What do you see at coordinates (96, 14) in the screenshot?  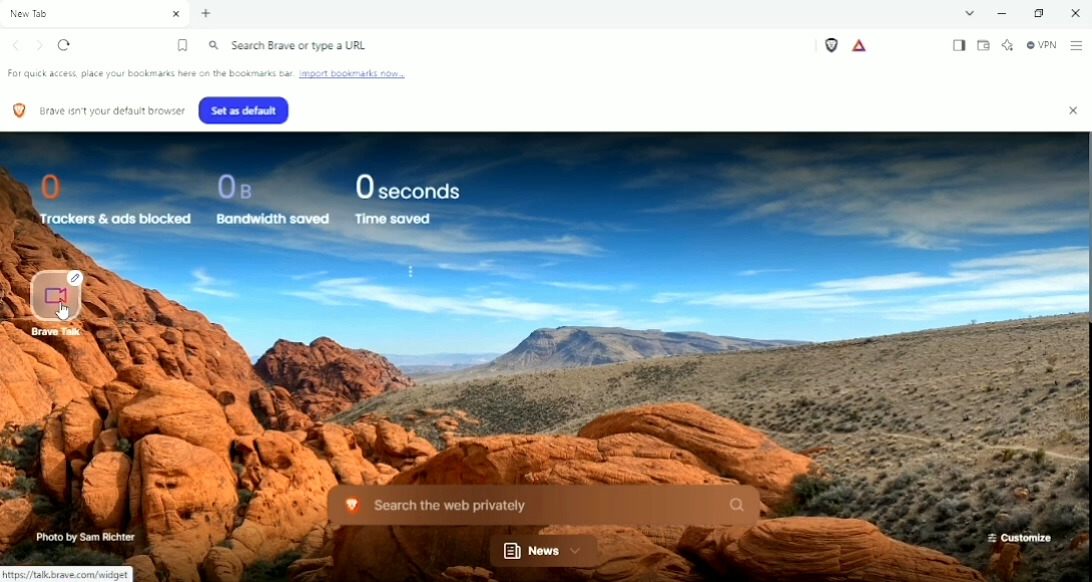 I see `New Tab` at bounding box center [96, 14].